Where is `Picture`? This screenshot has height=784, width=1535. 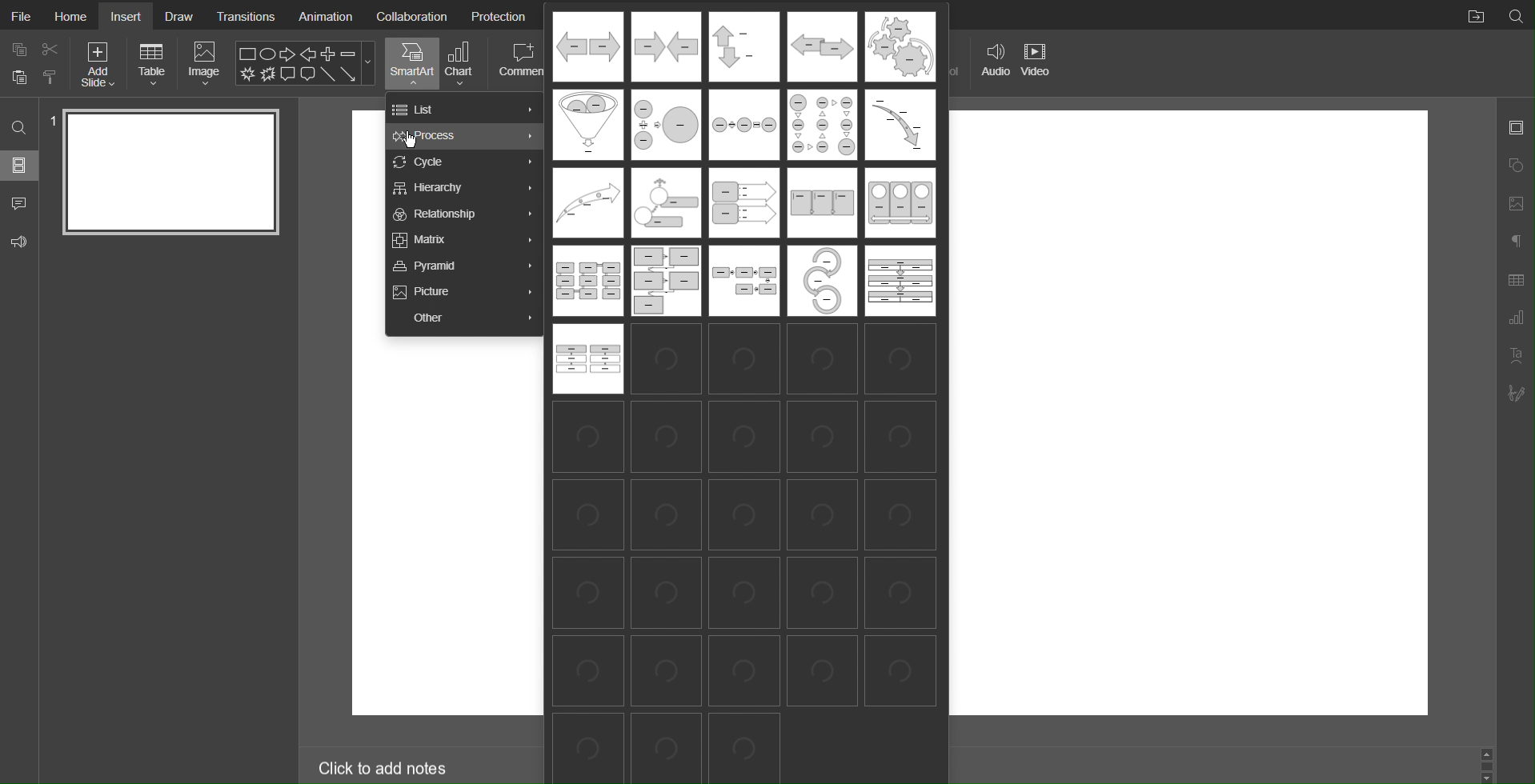
Picture is located at coordinates (463, 292).